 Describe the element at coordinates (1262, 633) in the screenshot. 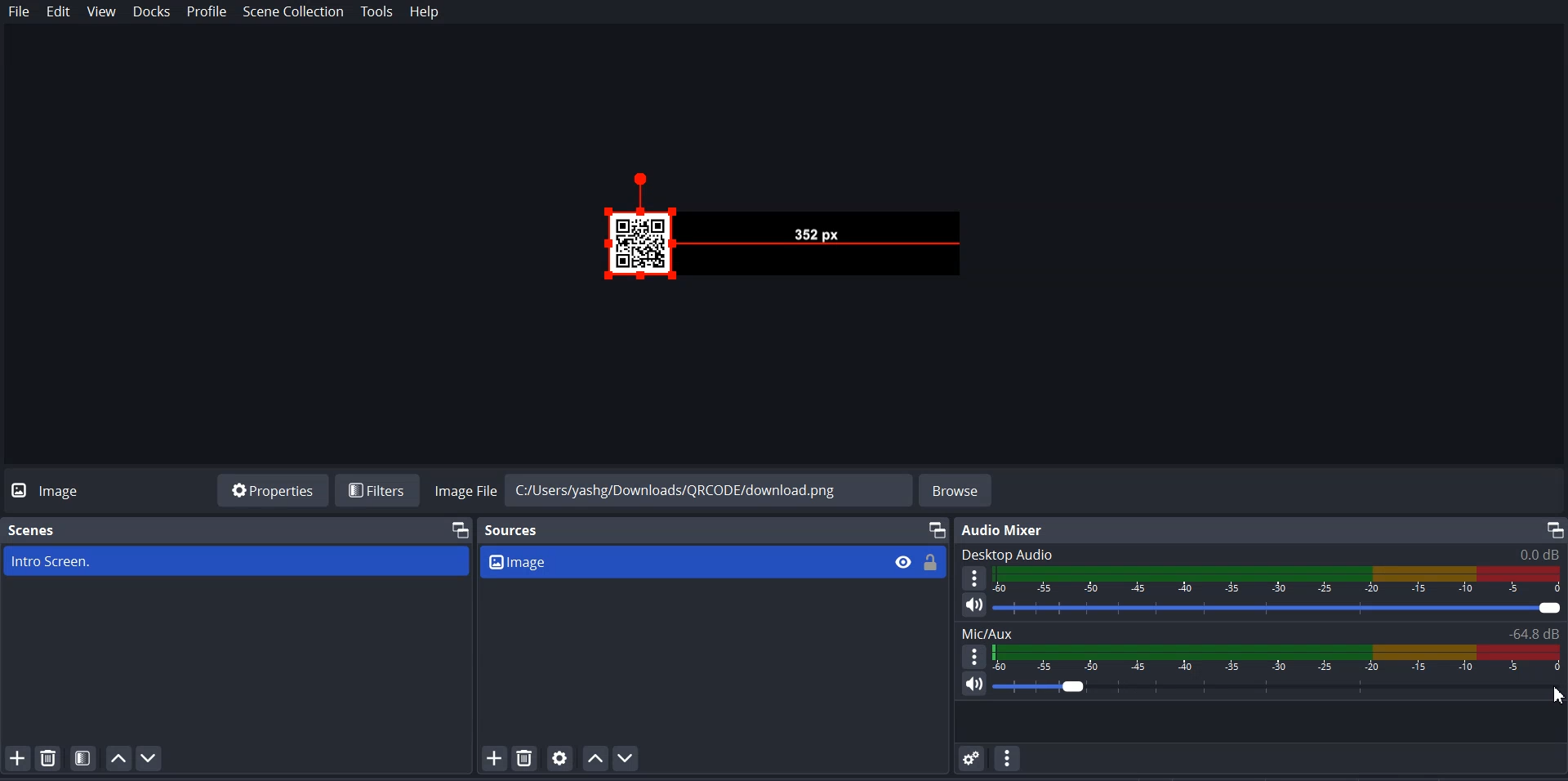

I see `Text` at that location.